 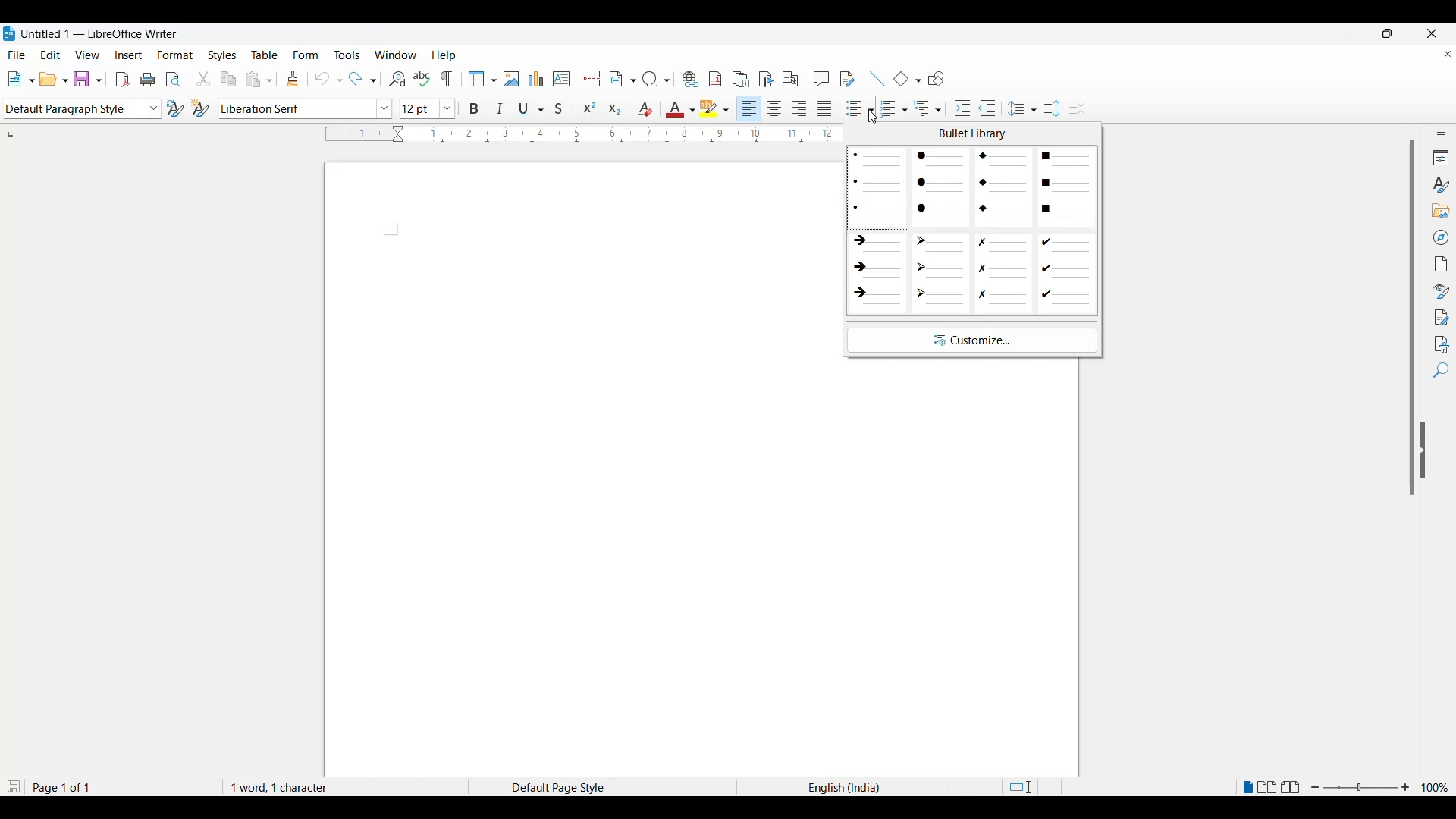 What do you see at coordinates (394, 78) in the screenshot?
I see `find and replace` at bounding box center [394, 78].